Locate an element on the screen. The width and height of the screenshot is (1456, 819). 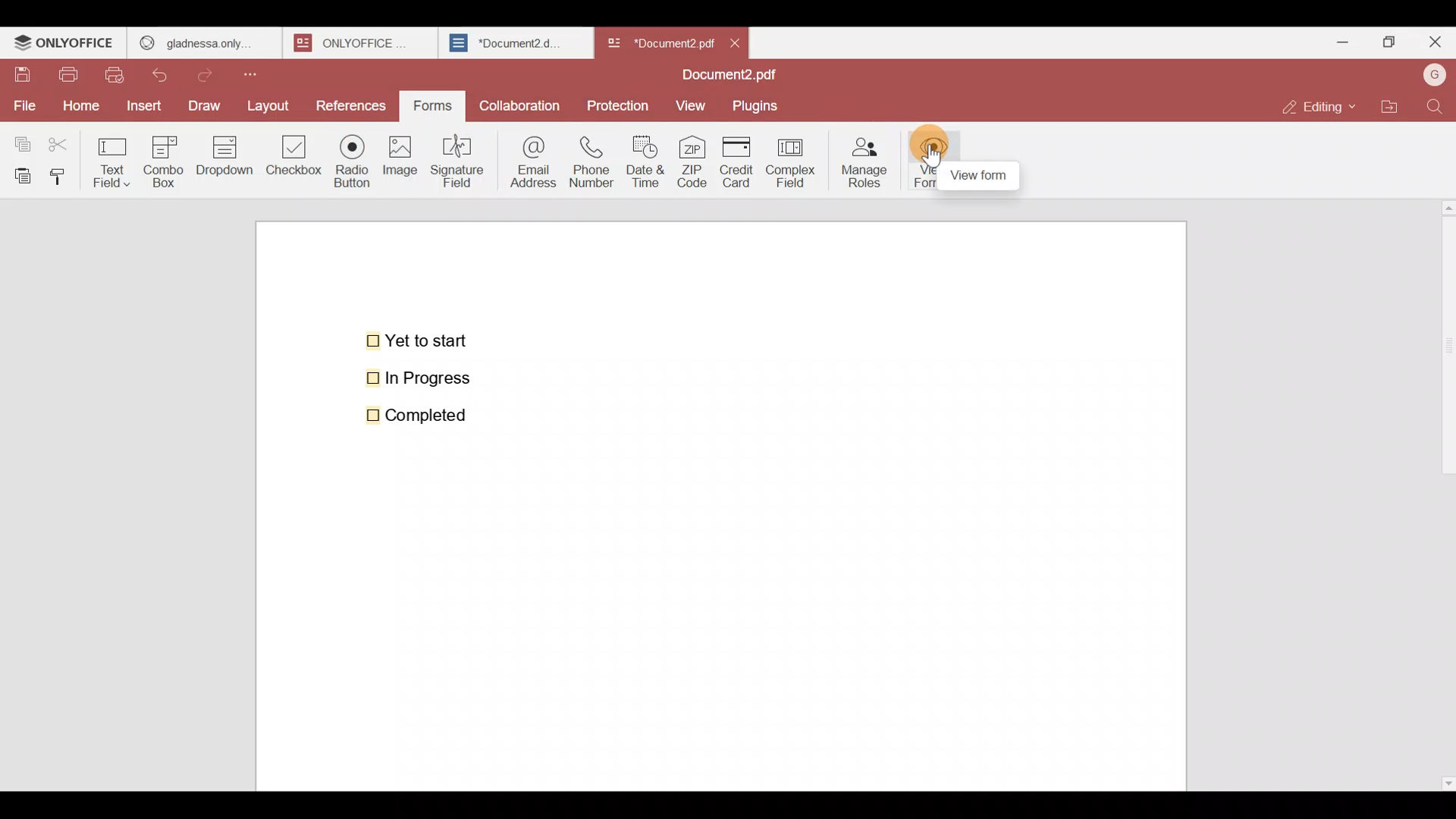
File is located at coordinates (24, 104).